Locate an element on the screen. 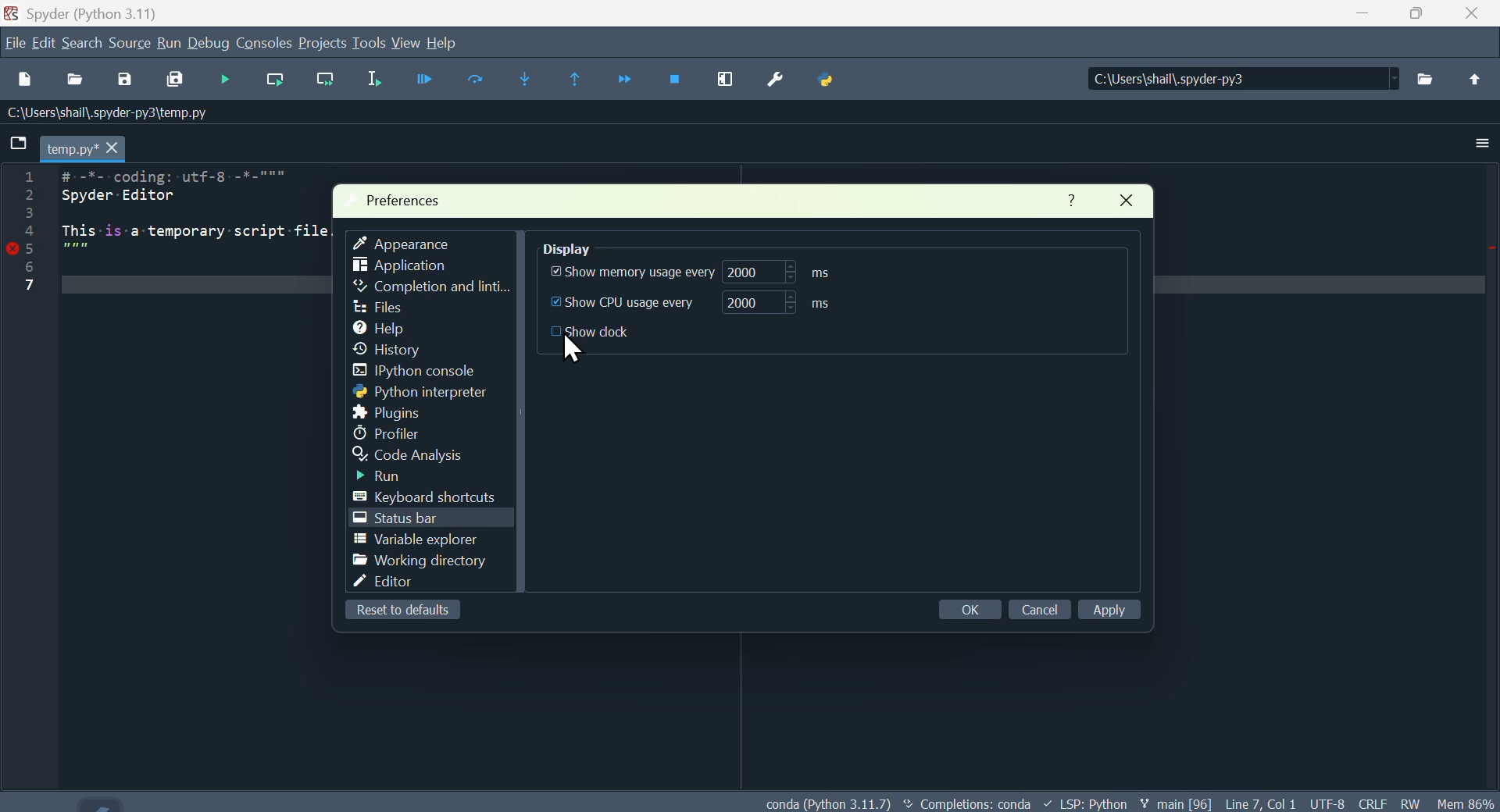 The height and width of the screenshot is (812, 1500). Preferences is located at coordinates (776, 89).